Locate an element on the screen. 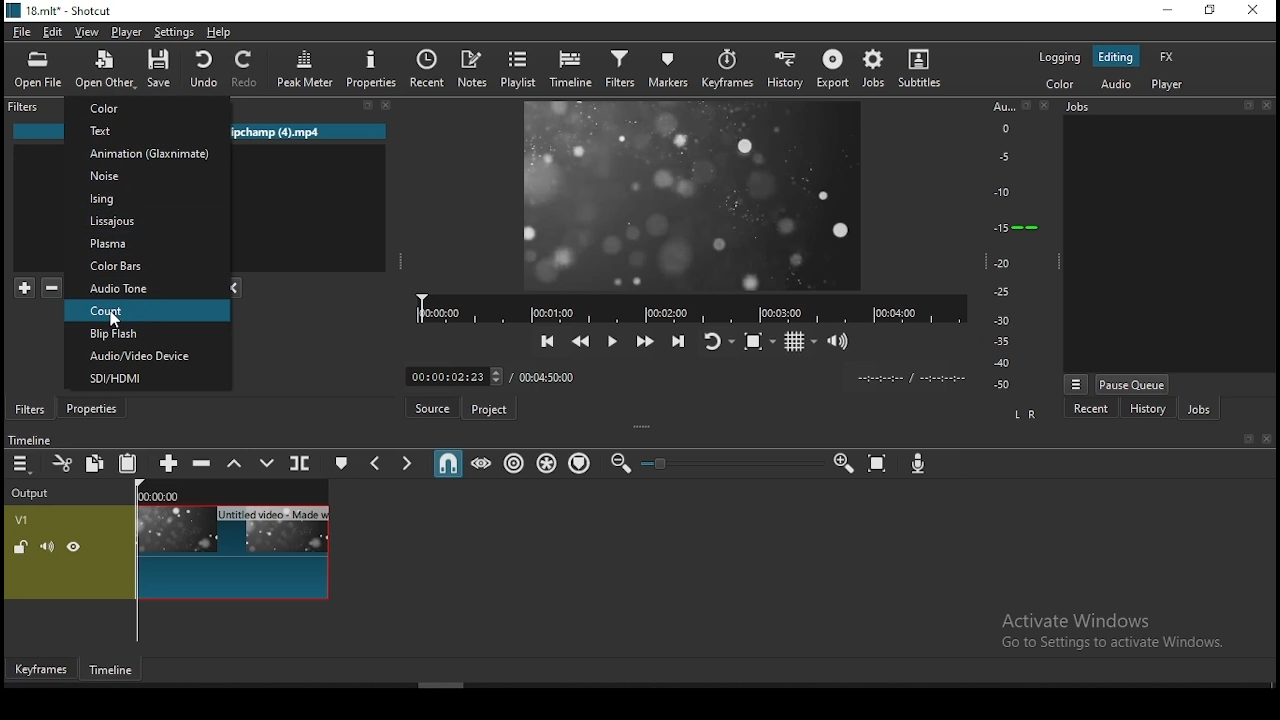 Image resolution: width=1280 pixels, height=720 pixels. properties is located at coordinates (371, 70).